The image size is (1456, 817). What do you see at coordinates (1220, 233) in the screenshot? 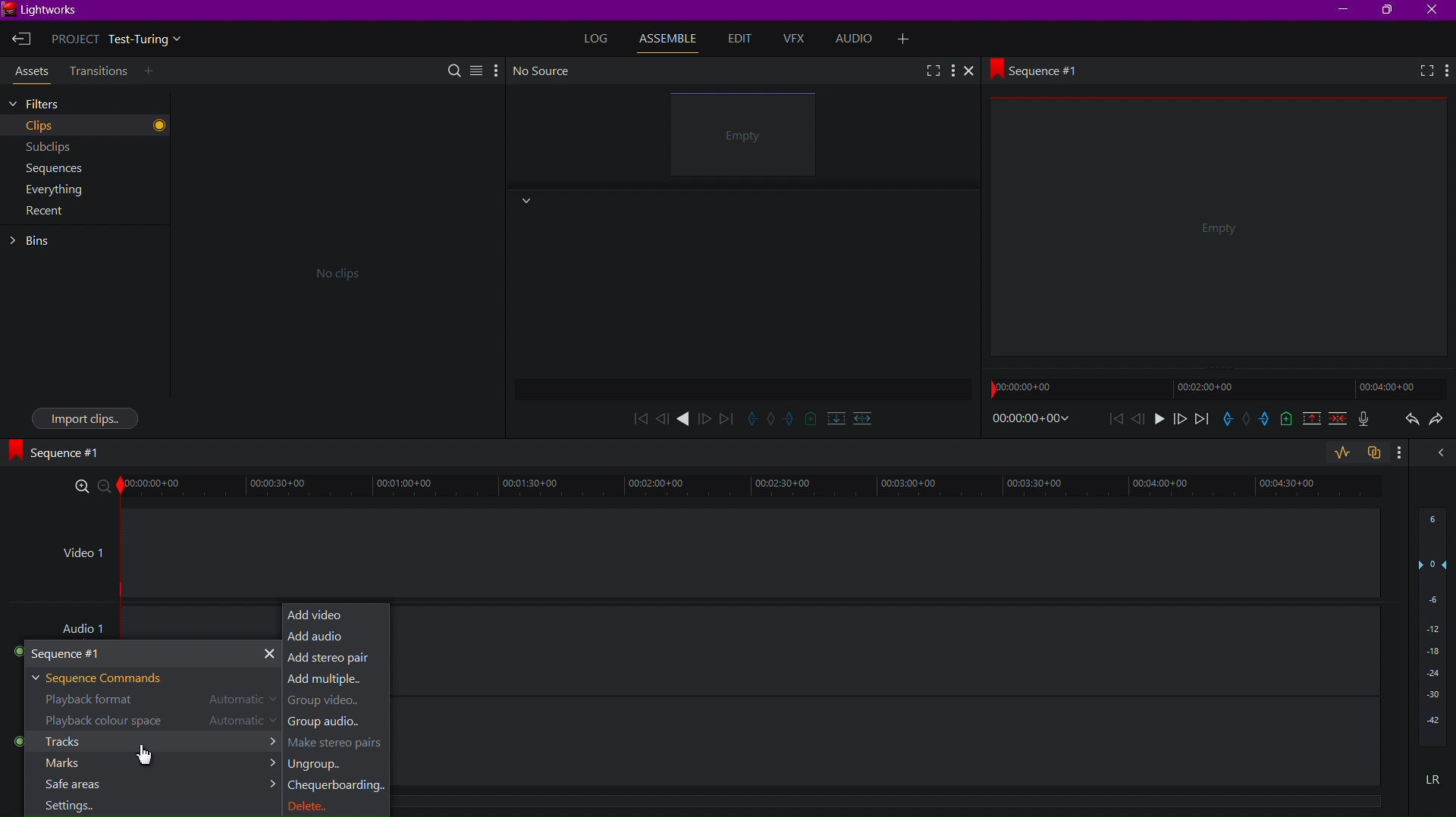
I see `Sequence View` at bounding box center [1220, 233].